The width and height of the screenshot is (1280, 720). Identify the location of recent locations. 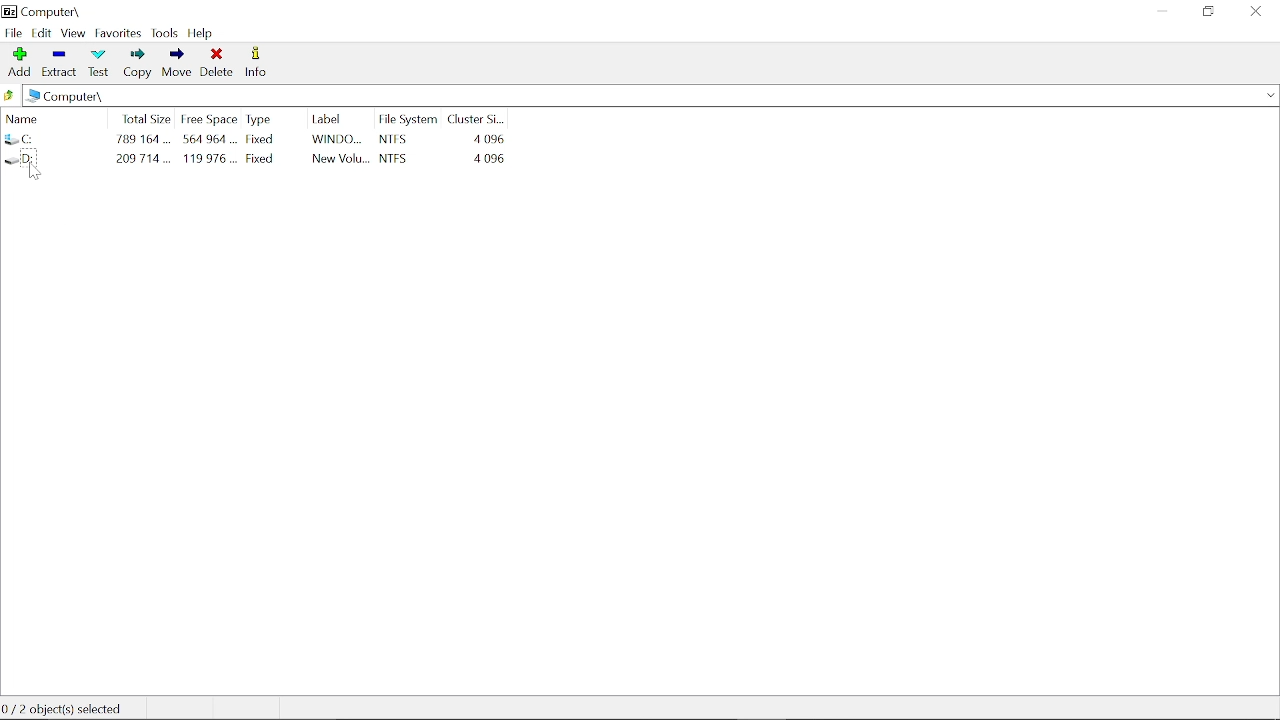
(1271, 96).